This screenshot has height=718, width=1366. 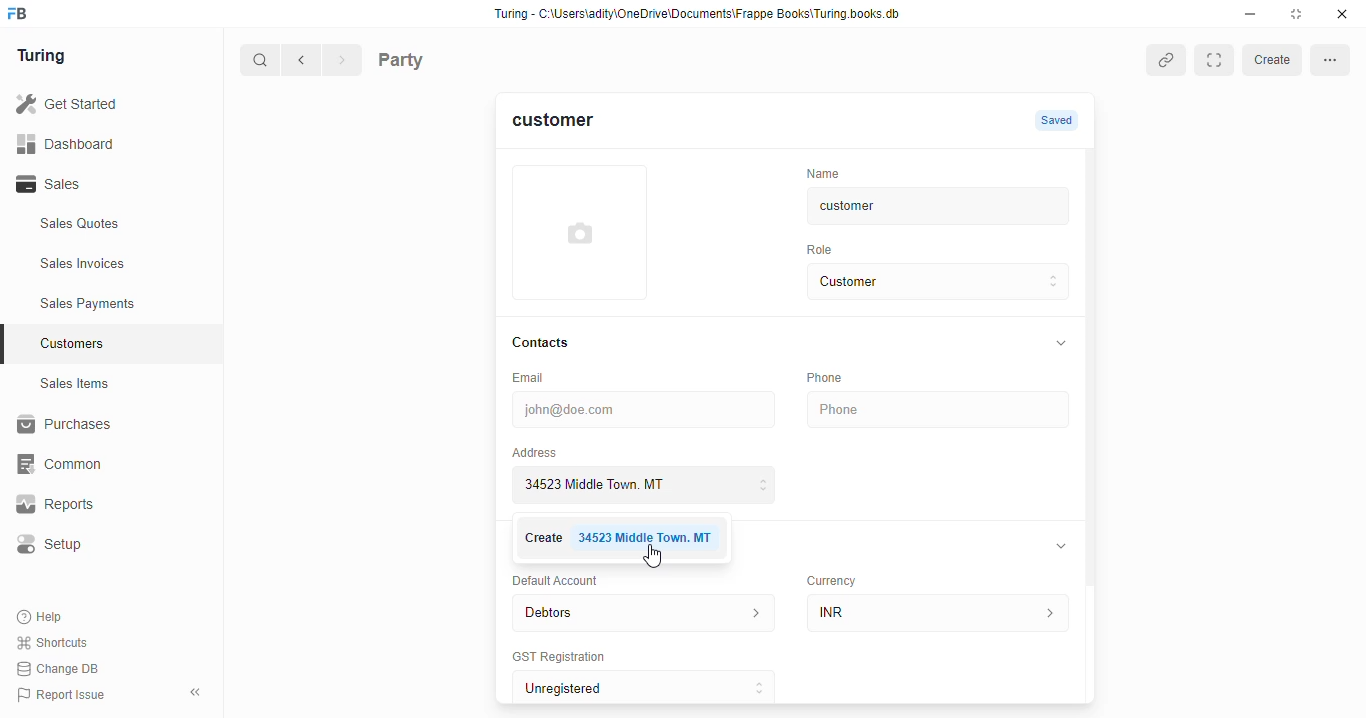 What do you see at coordinates (442, 58) in the screenshot?
I see `Party` at bounding box center [442, 58].